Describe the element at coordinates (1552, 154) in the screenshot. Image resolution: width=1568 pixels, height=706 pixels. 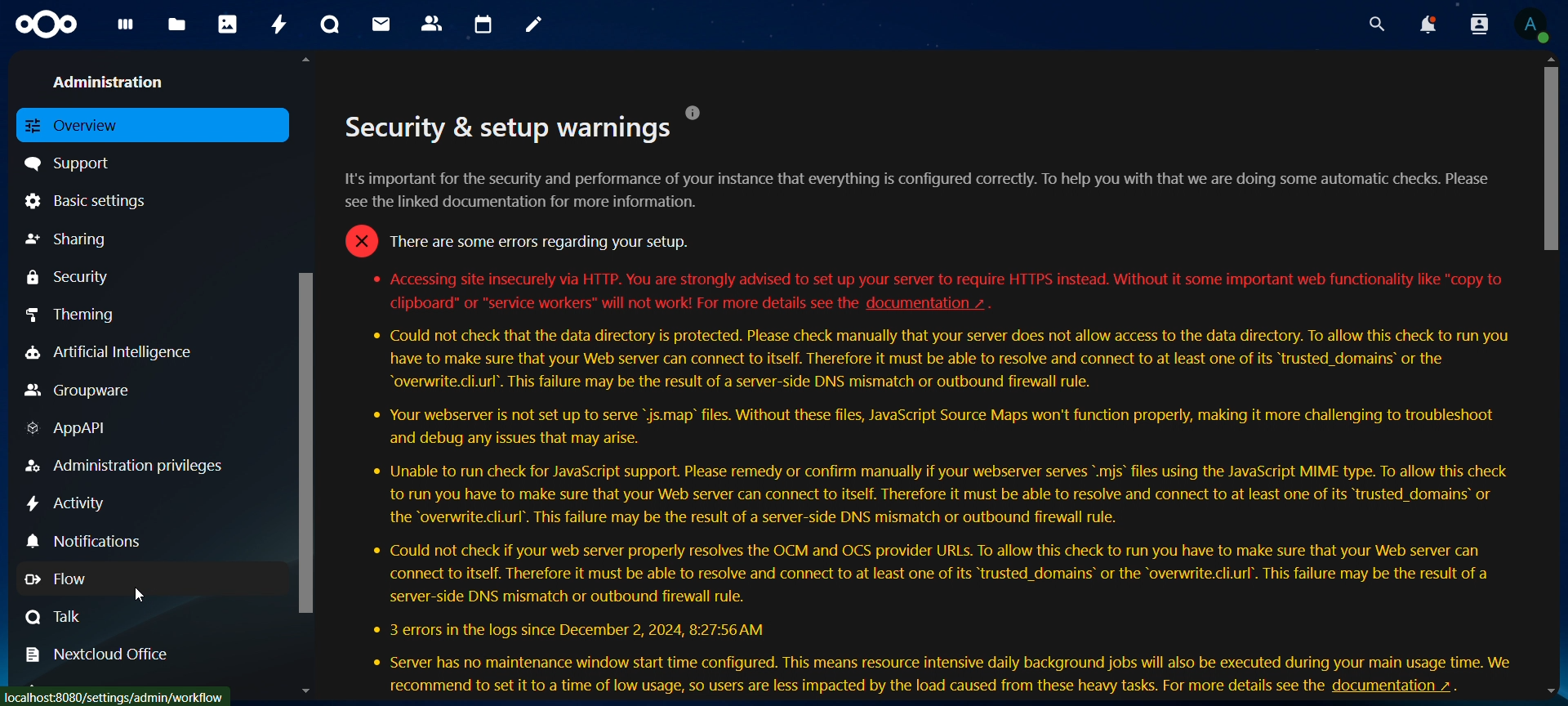
I see `scrollbar` at that location.